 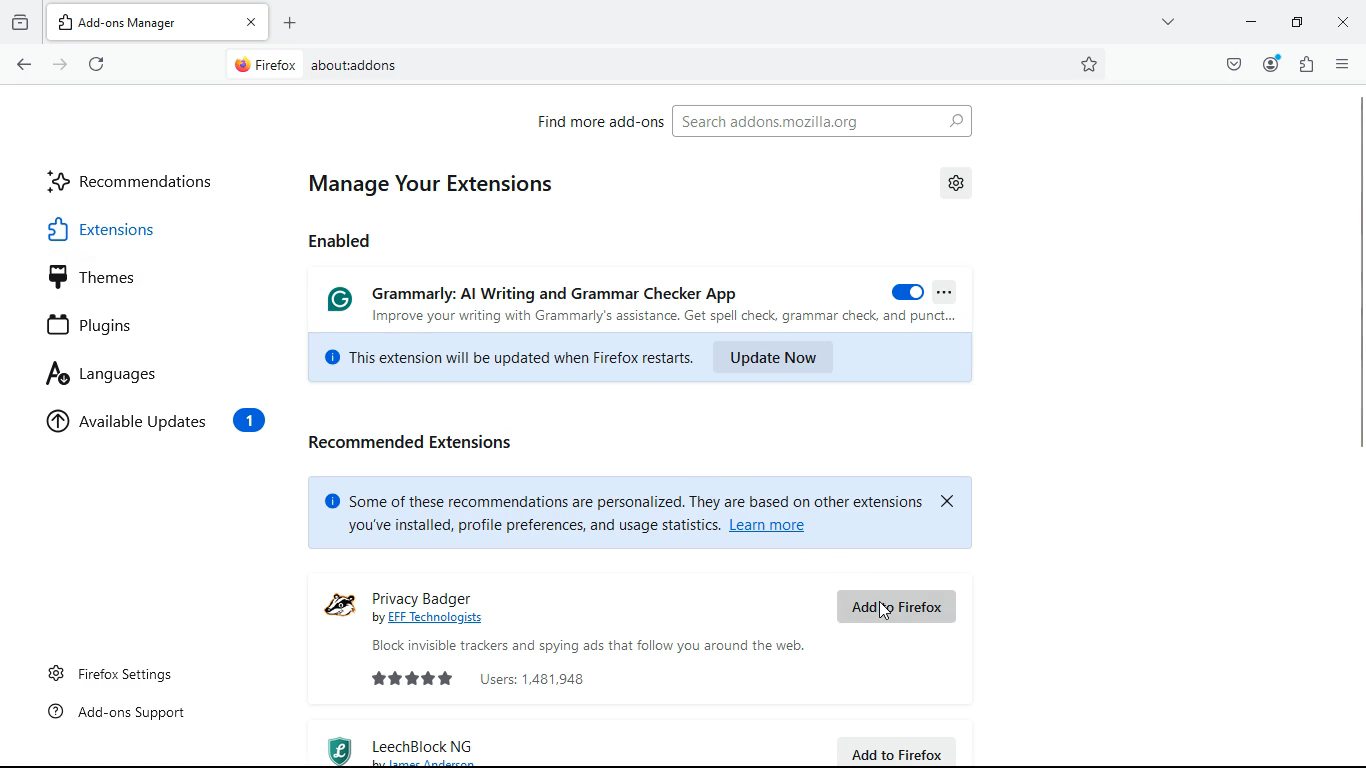 What do you see at coordinates (58, 66) in the screenshot?
I see `forward` at bounding box center [58, 66].